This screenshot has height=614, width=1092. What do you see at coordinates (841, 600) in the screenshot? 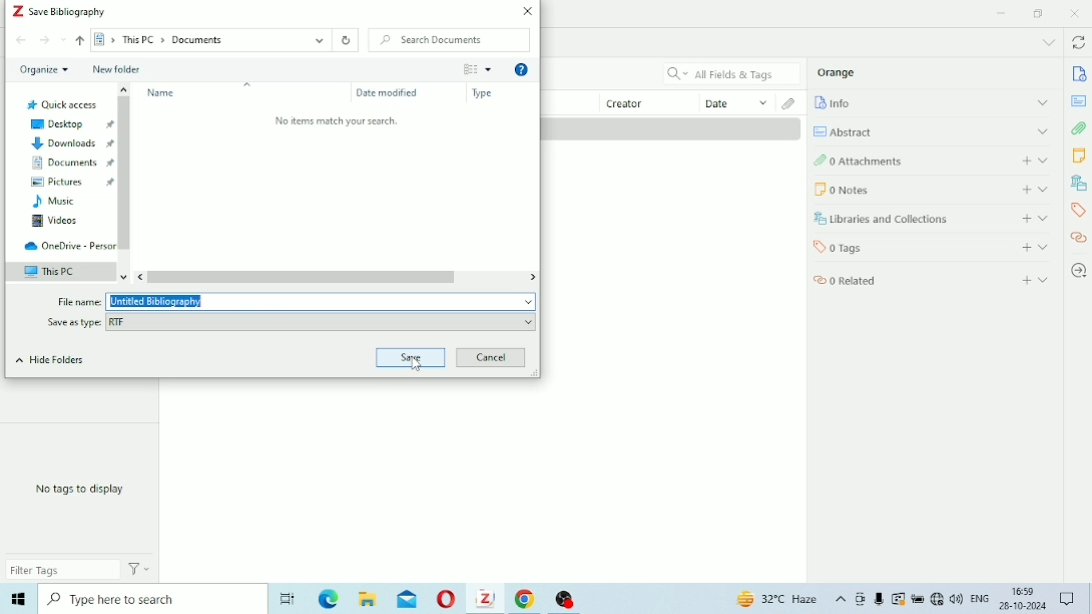
I see `Show hidden icons` at bounding box center [841, 600].